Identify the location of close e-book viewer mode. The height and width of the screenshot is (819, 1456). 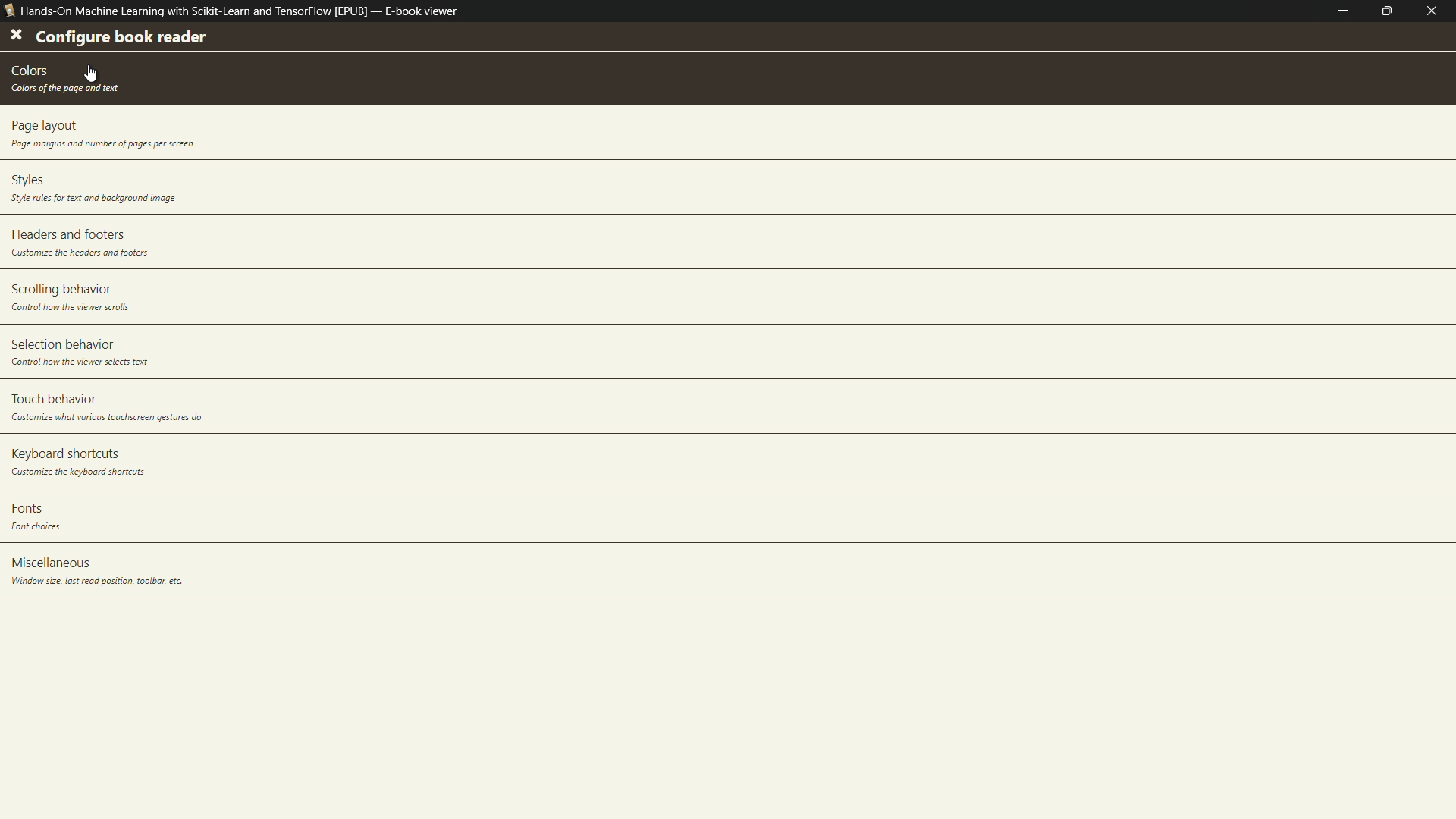
(1436, 11).